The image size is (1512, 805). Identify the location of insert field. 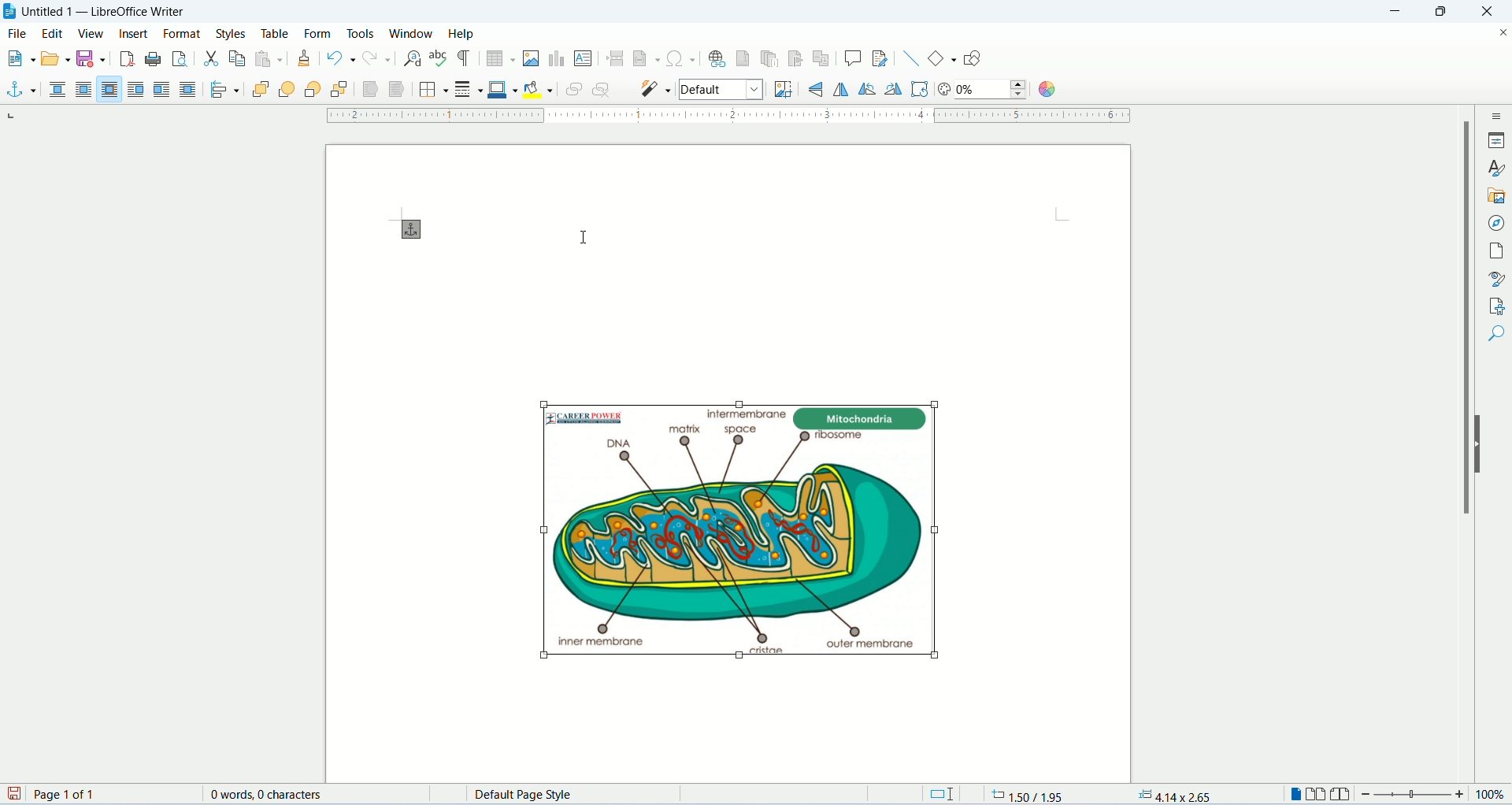
(647, 58).